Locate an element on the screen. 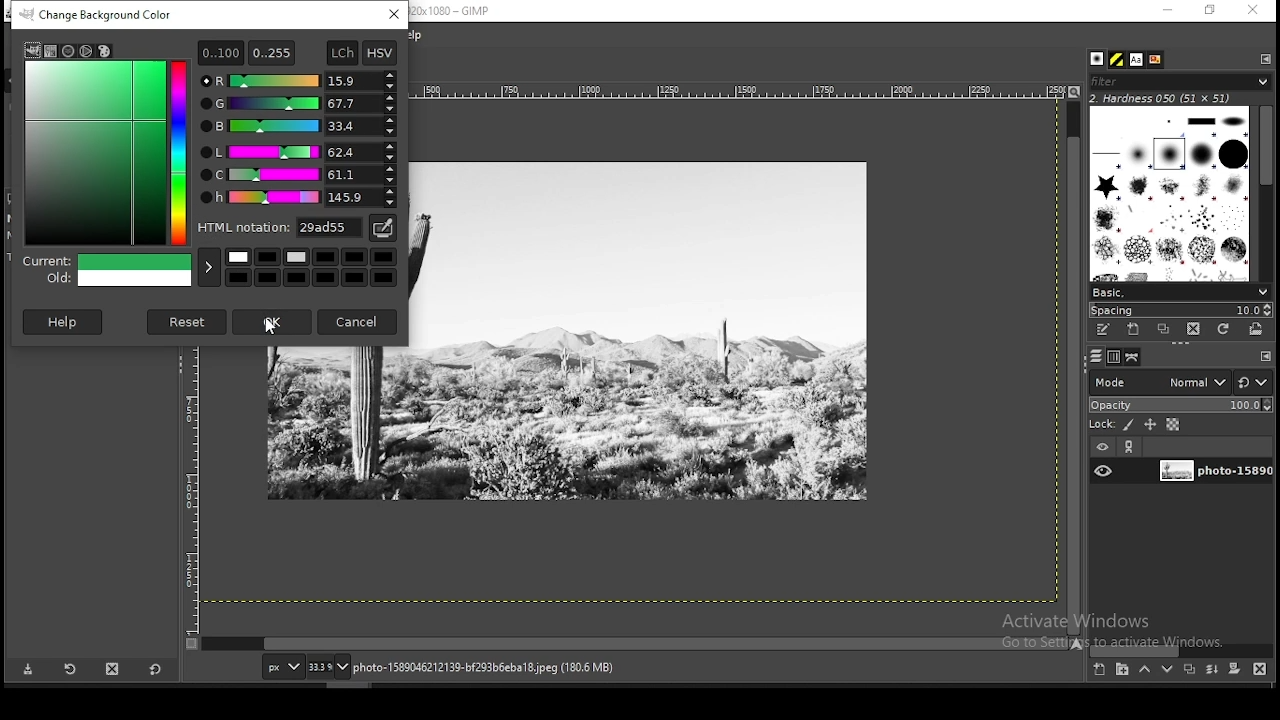  layer is located at coordinates (1213, 472).